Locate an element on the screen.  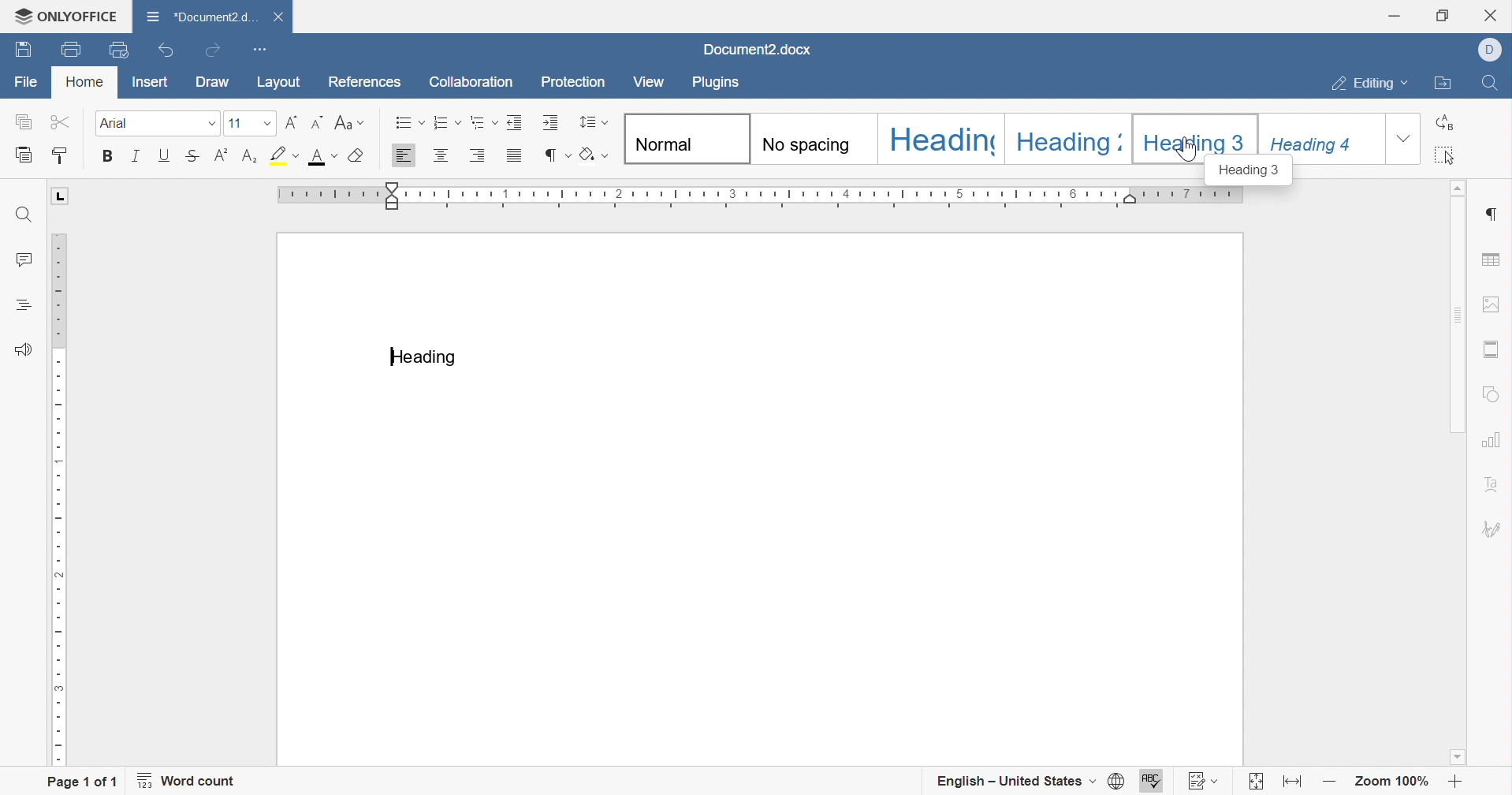
Quick print is located at coordinates (121, 48).